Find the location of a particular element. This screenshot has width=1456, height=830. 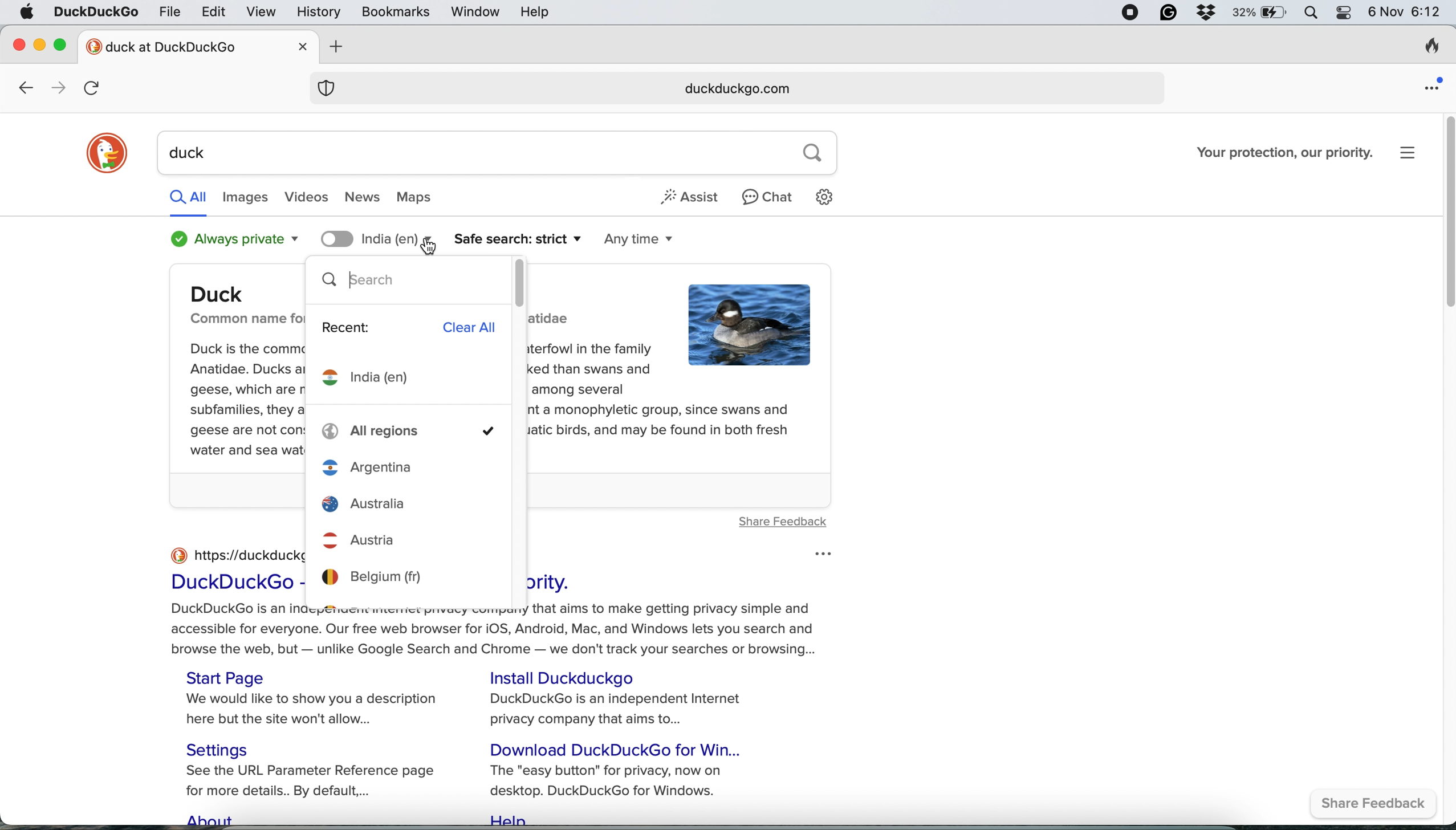

minimise is located at coordinates (39, 43).